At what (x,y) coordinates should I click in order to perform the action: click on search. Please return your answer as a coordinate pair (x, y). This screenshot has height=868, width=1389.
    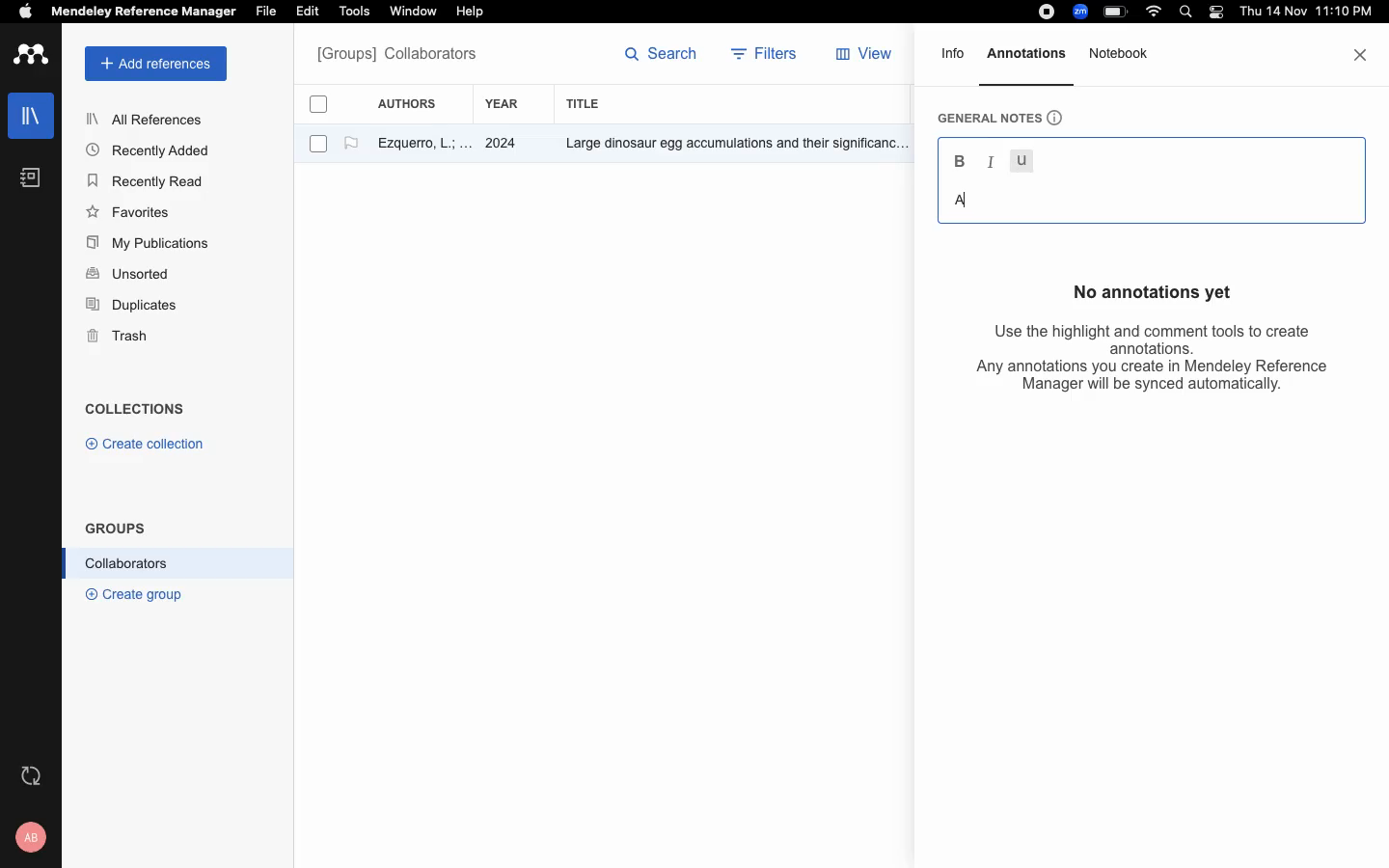
    Looking at the image, I should click on (662, 58).